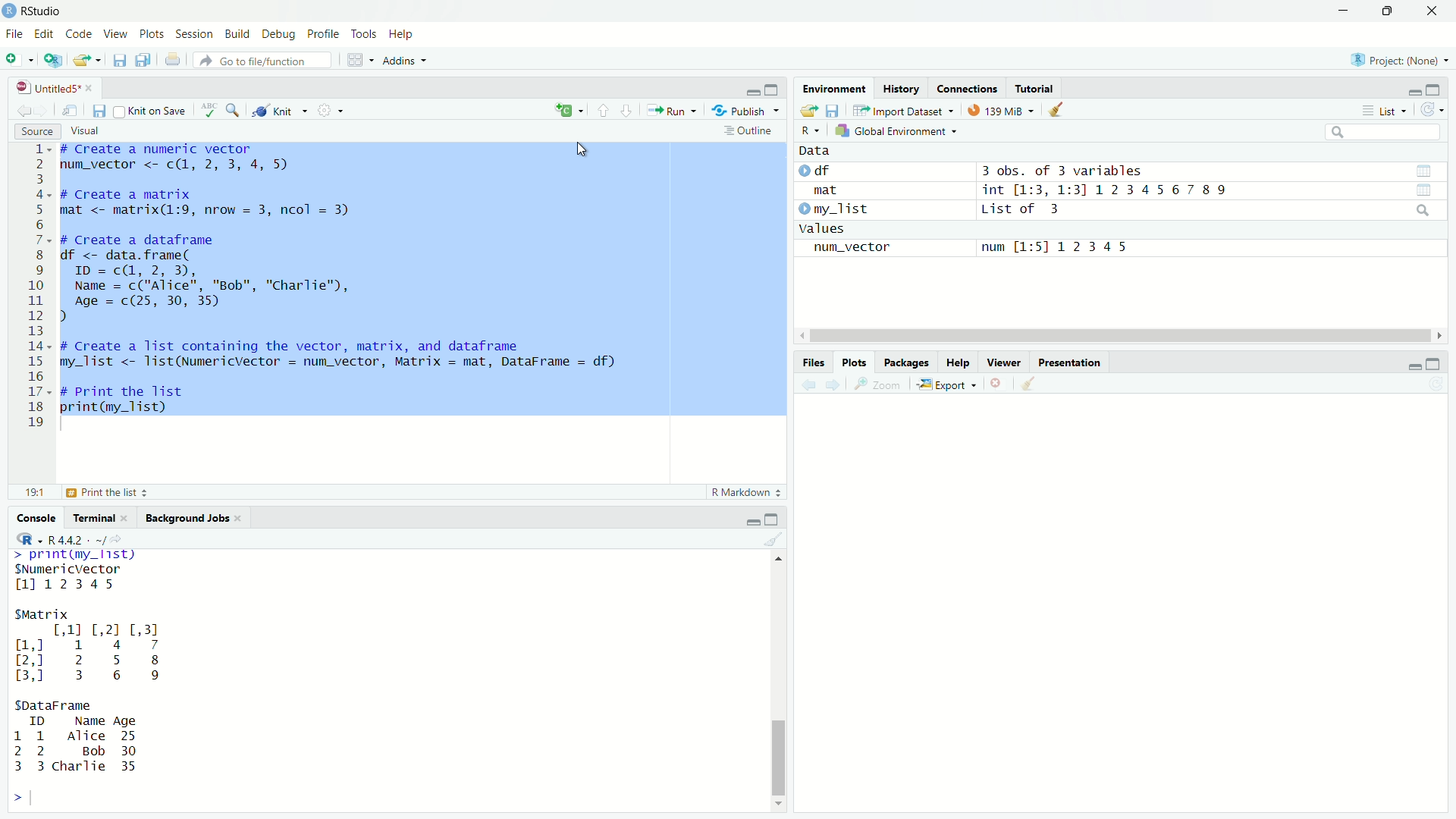  What do you see at coordinates (1384, 134) in the screenshot?
I see `search` at bounding box center [1384, 134].